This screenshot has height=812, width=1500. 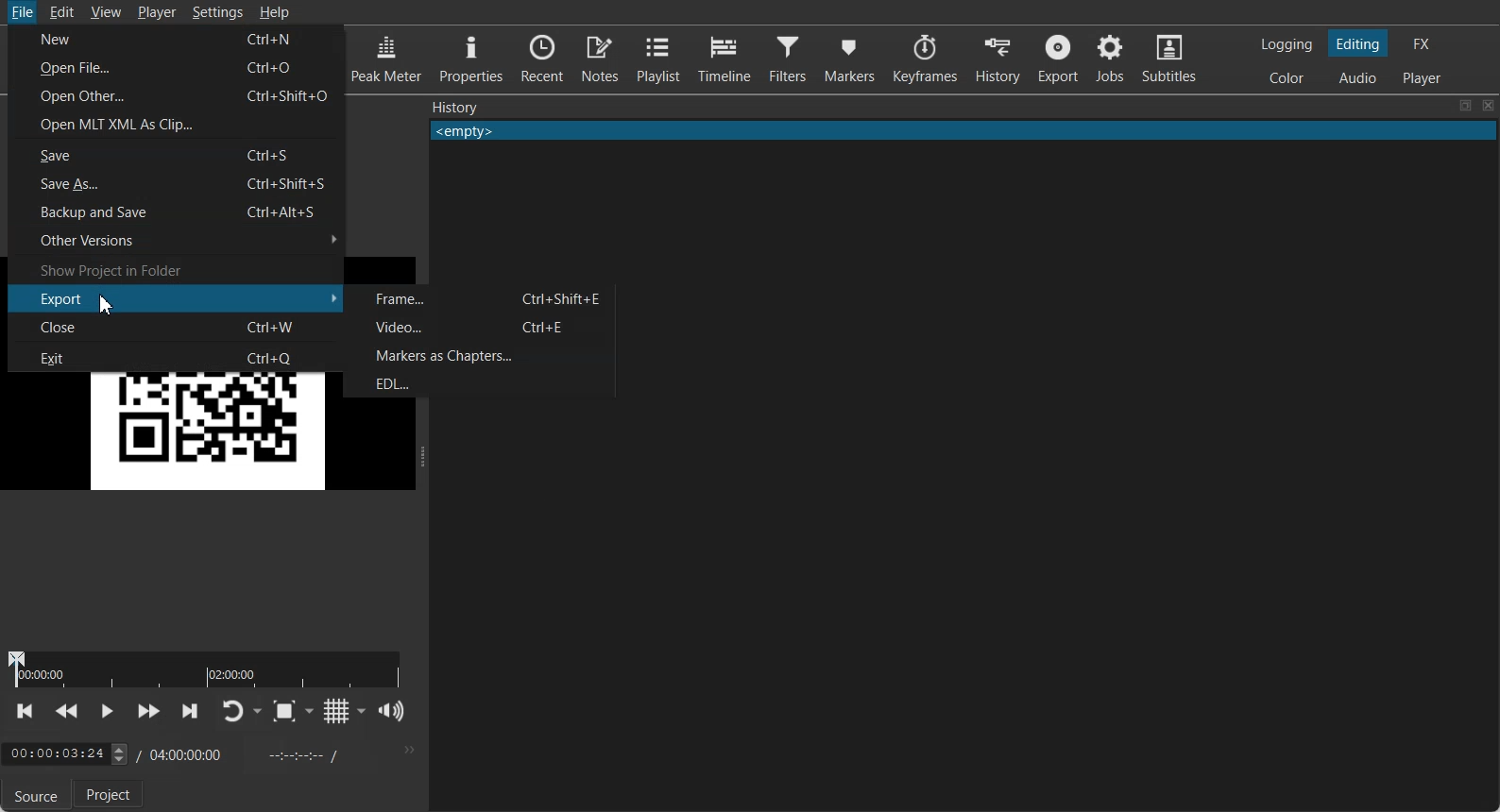 I want to click on Drop down box, so click(x=259, y=711).